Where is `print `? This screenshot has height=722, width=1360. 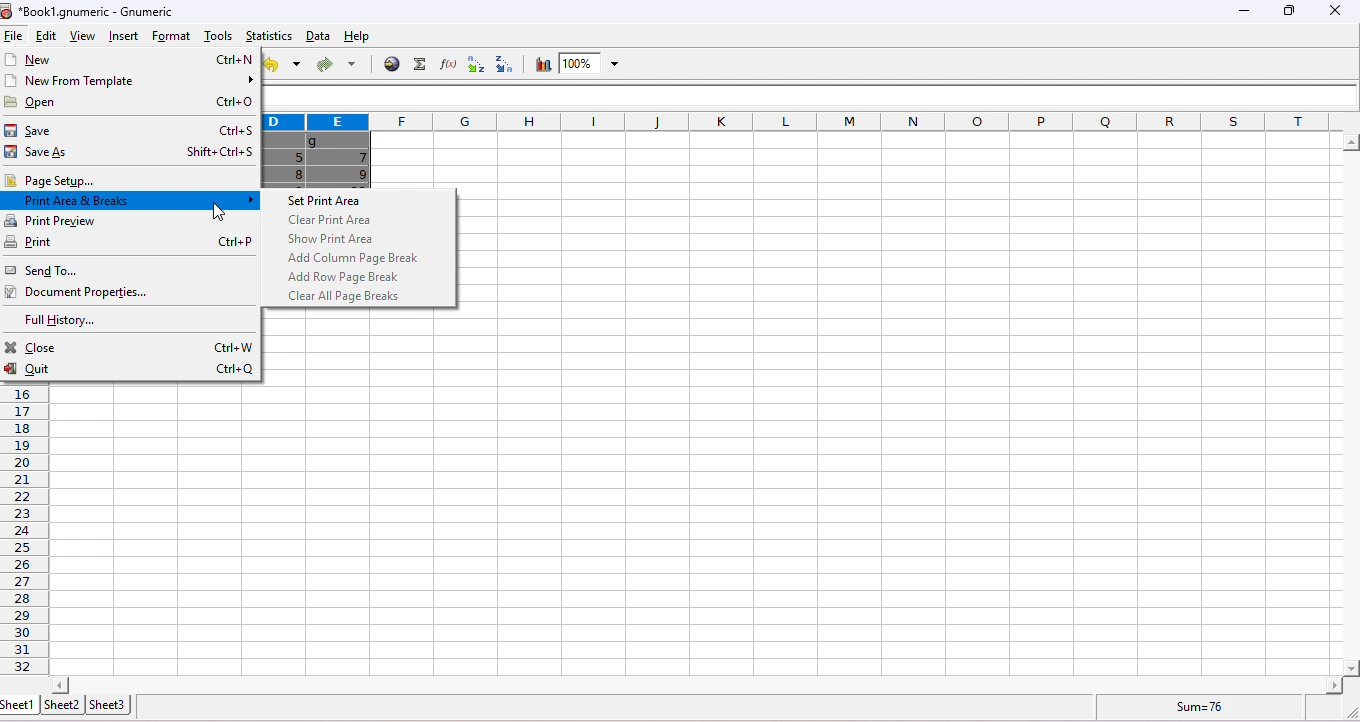 print  is located at coordinates (129, 243).